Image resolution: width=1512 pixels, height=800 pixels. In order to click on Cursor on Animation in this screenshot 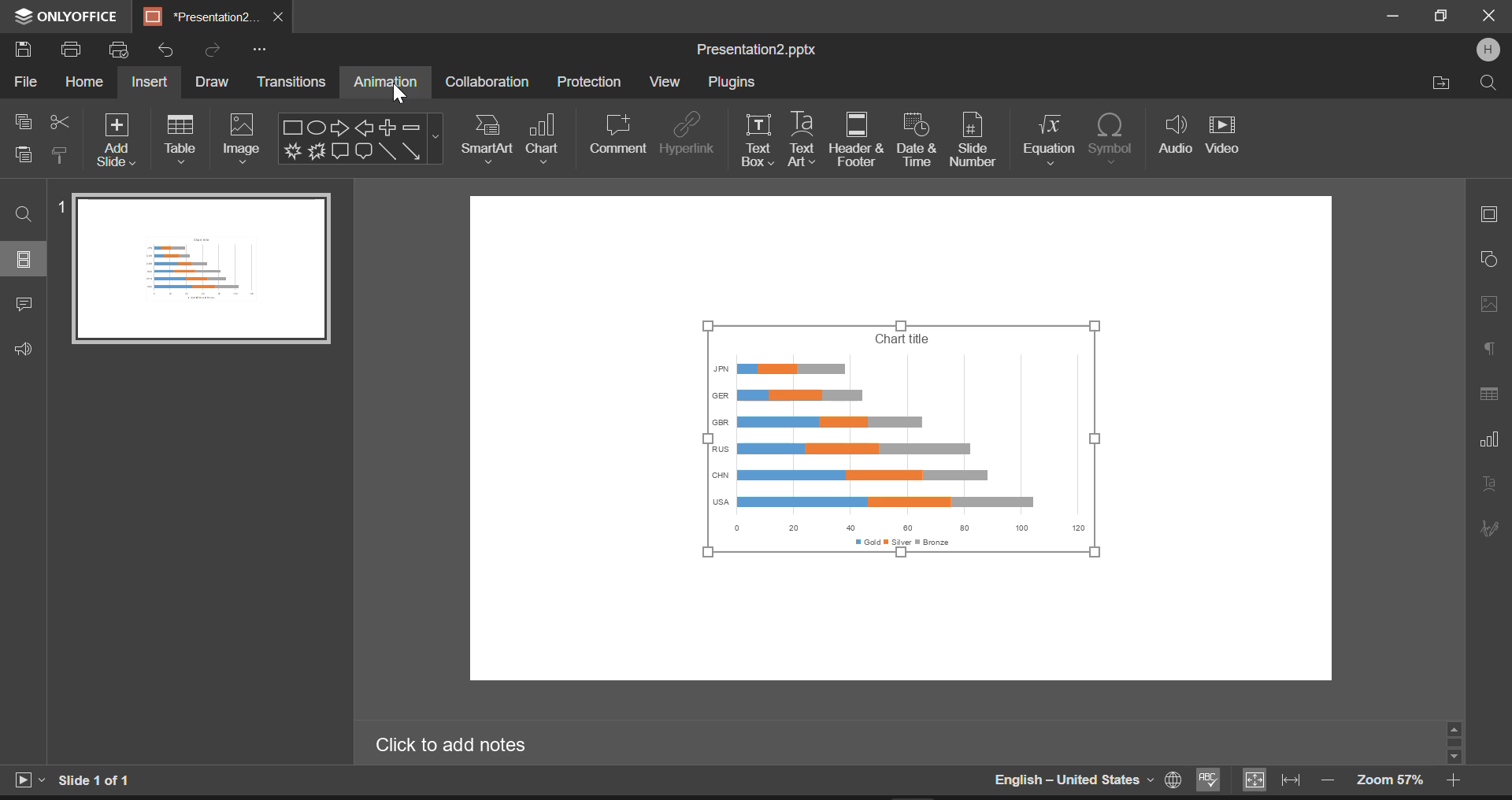, I will do `click(395, 89)`.